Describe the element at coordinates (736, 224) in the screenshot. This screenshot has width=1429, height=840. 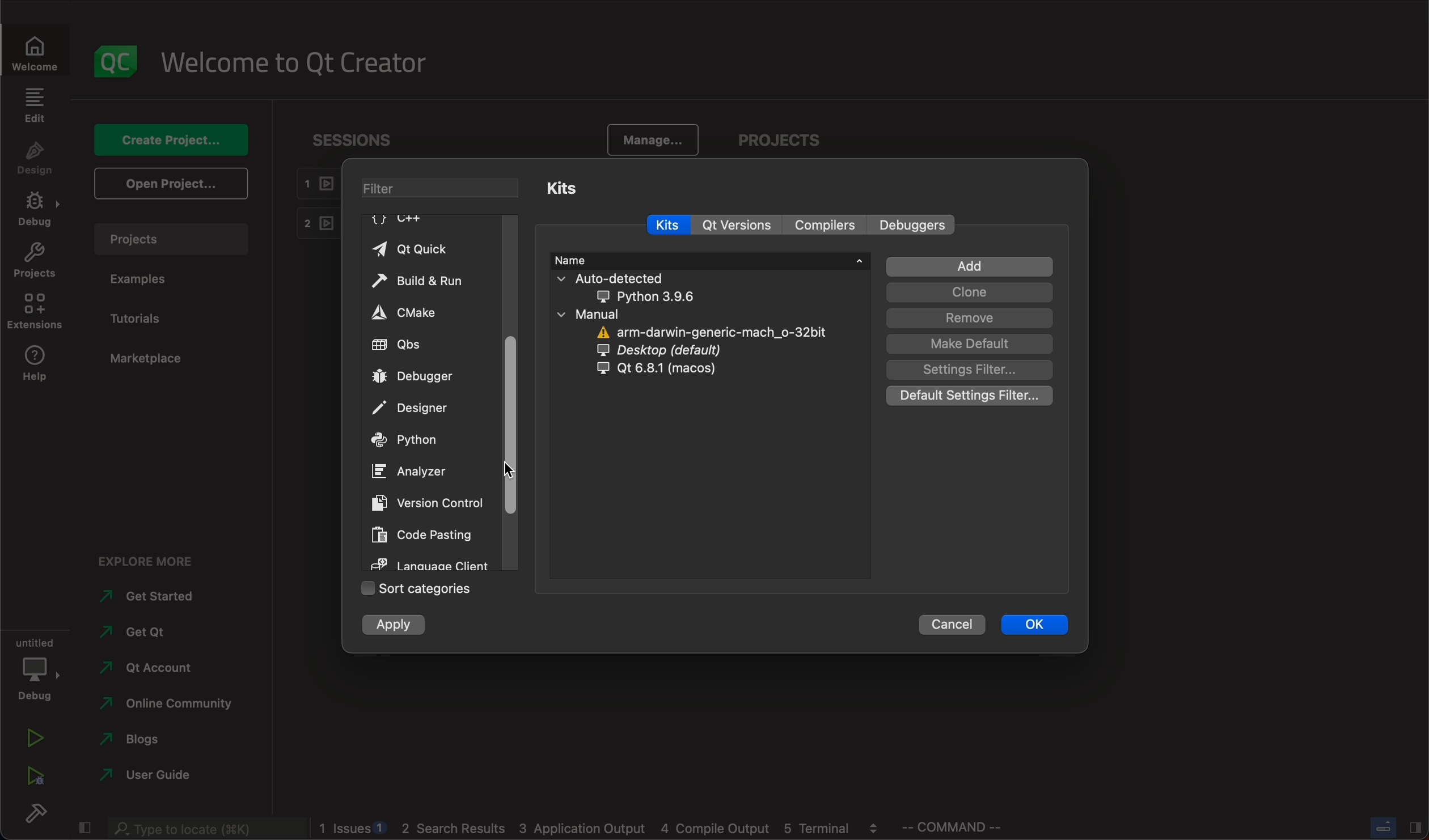
I see `version` at that location.